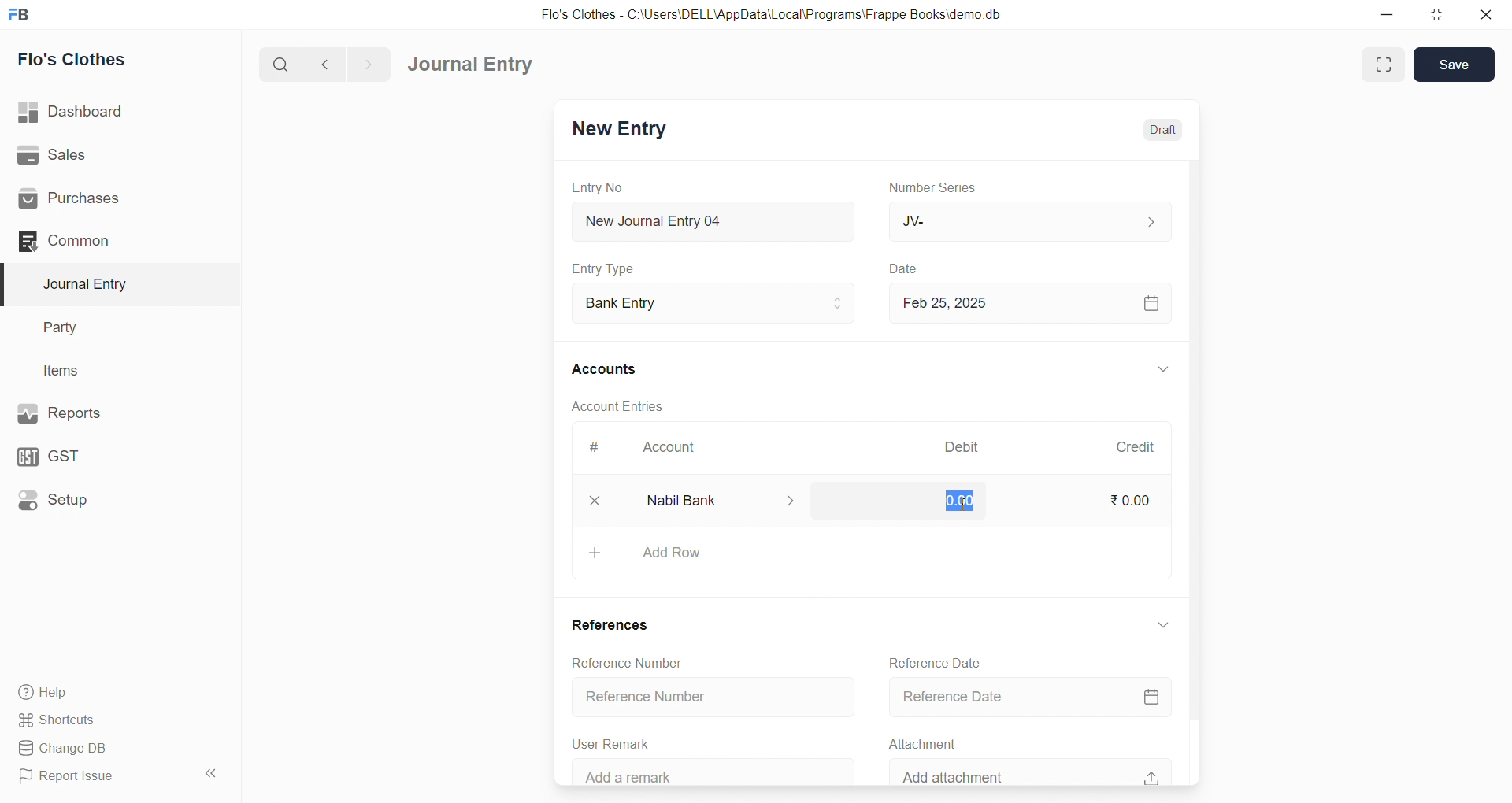  What do you see at coordinates (112, 284) in the screenshot?
I see `Journal Entry` at bounding box center [112, 284].